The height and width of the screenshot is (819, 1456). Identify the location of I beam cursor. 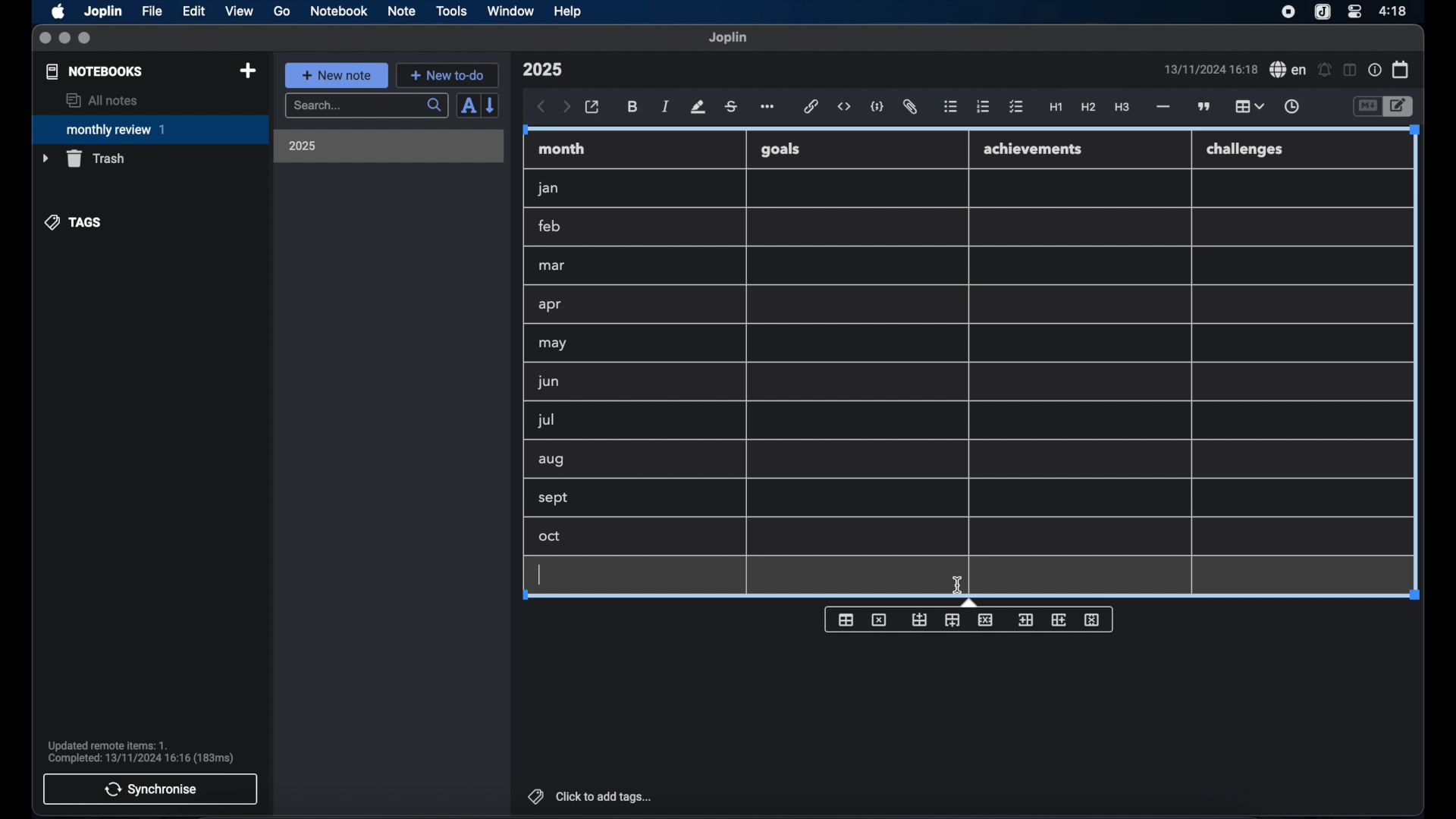
(958, 585).